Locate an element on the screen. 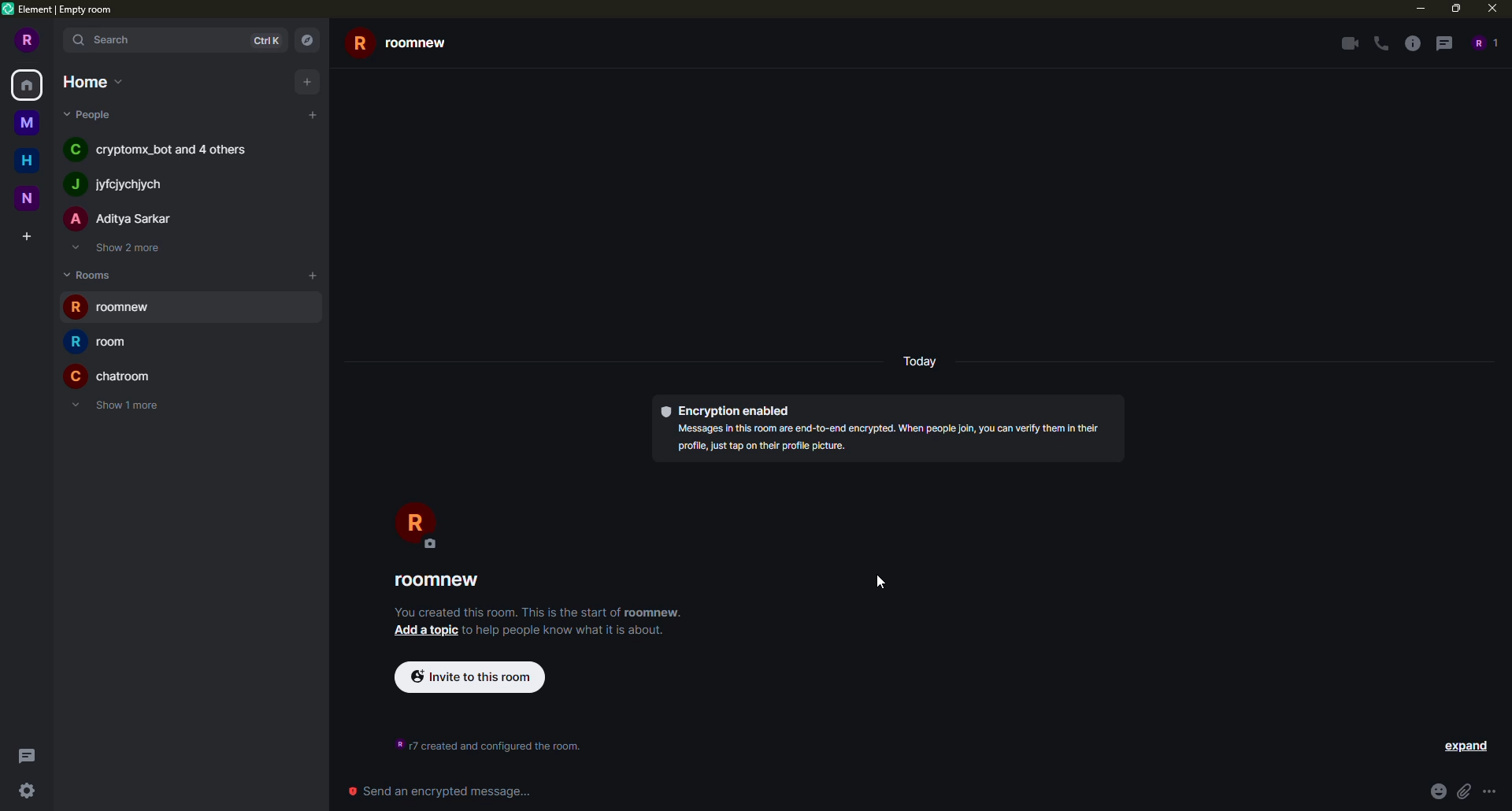 The height and width of the screenshot is (811, 1512).  Send an encrypted message... is located at coordinates (440, 791).